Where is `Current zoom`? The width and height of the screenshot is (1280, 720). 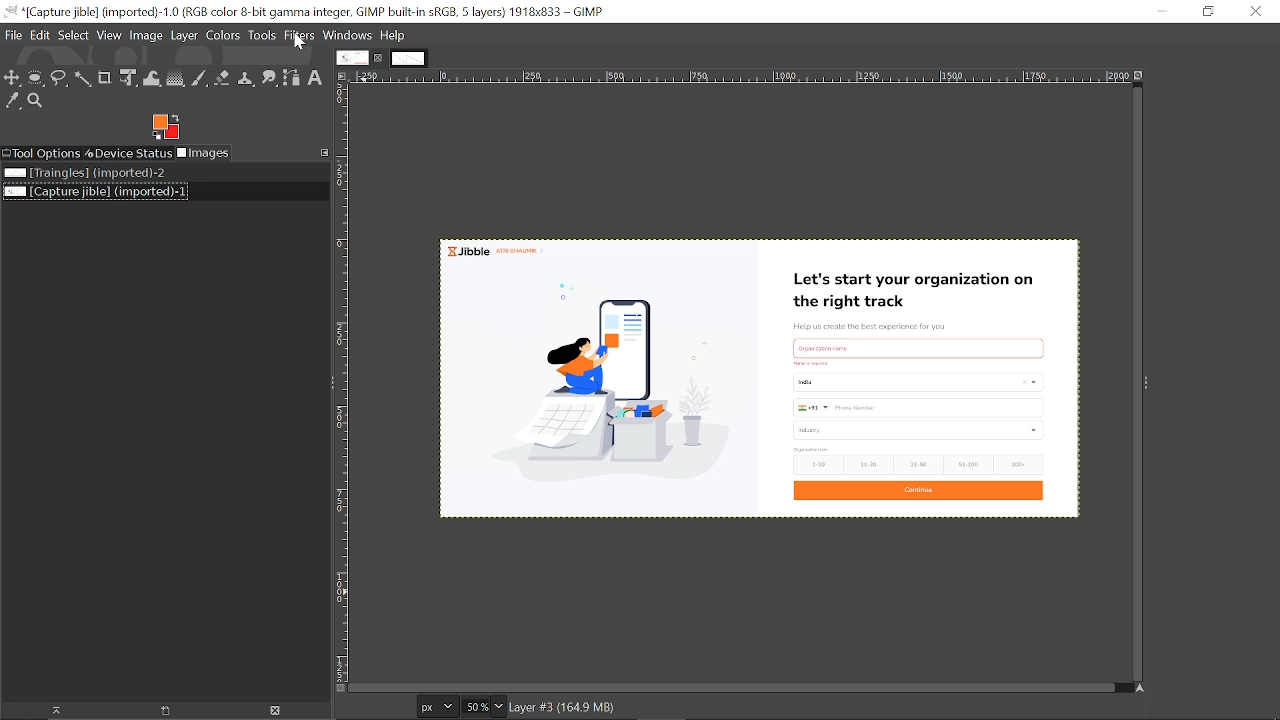
Current zoom is located at coordinates (475, 708).